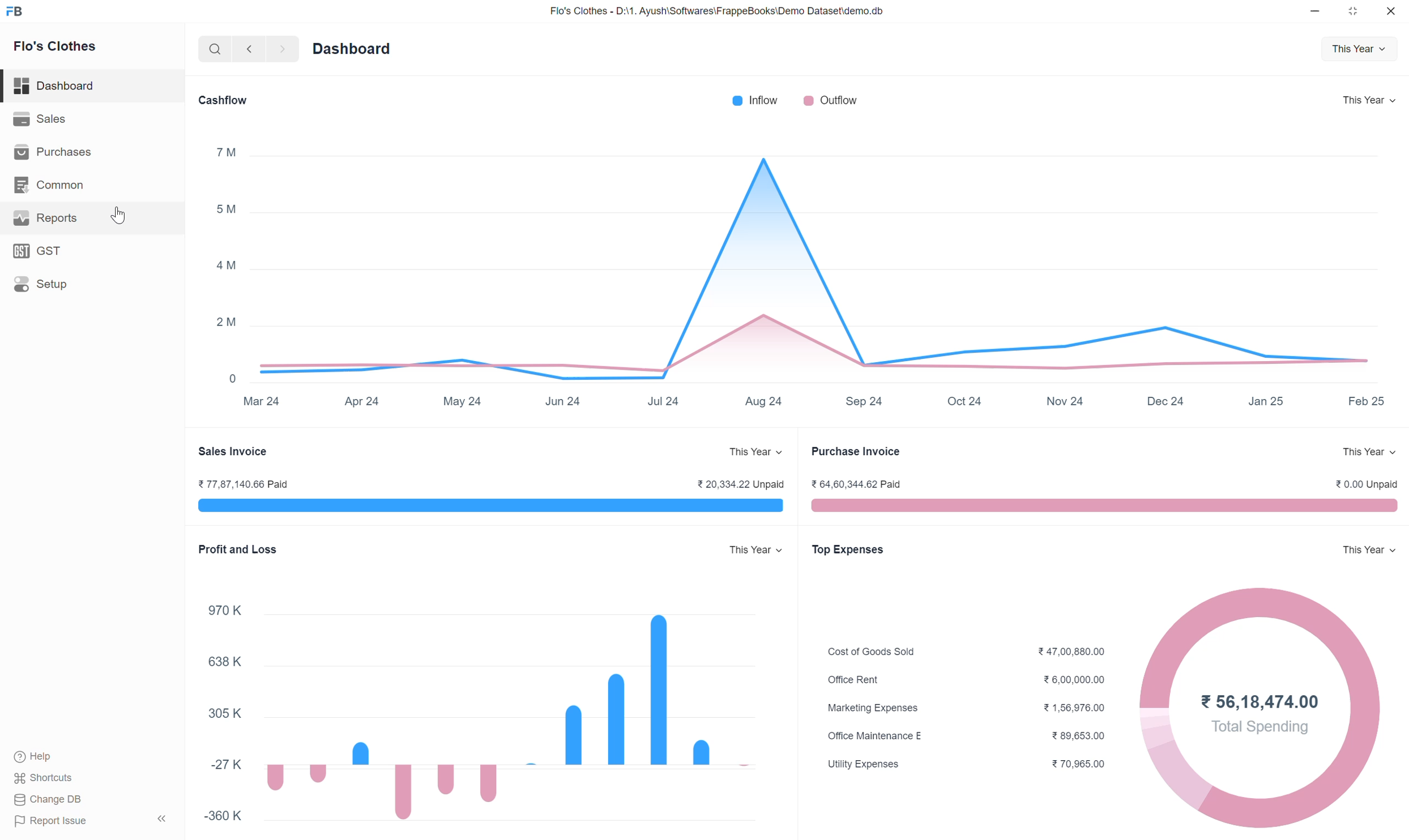  What do you see at coordinates (165, 817) in the screenshot?
I see `close panel` at bounding box center [165, 817].